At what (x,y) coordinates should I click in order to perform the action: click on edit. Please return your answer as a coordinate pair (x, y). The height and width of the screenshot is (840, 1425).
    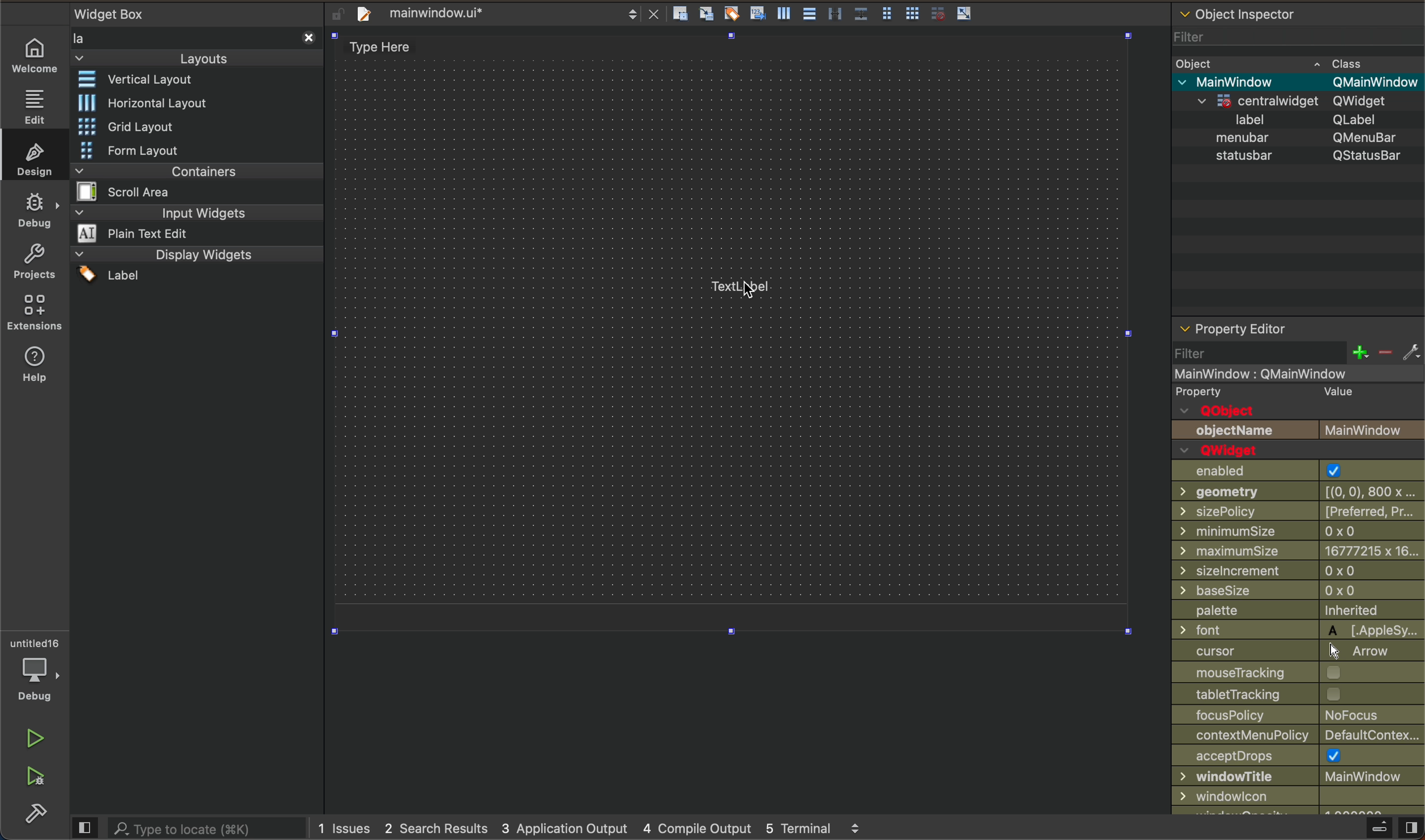
    Looking at the image, I should click on (34, 105).